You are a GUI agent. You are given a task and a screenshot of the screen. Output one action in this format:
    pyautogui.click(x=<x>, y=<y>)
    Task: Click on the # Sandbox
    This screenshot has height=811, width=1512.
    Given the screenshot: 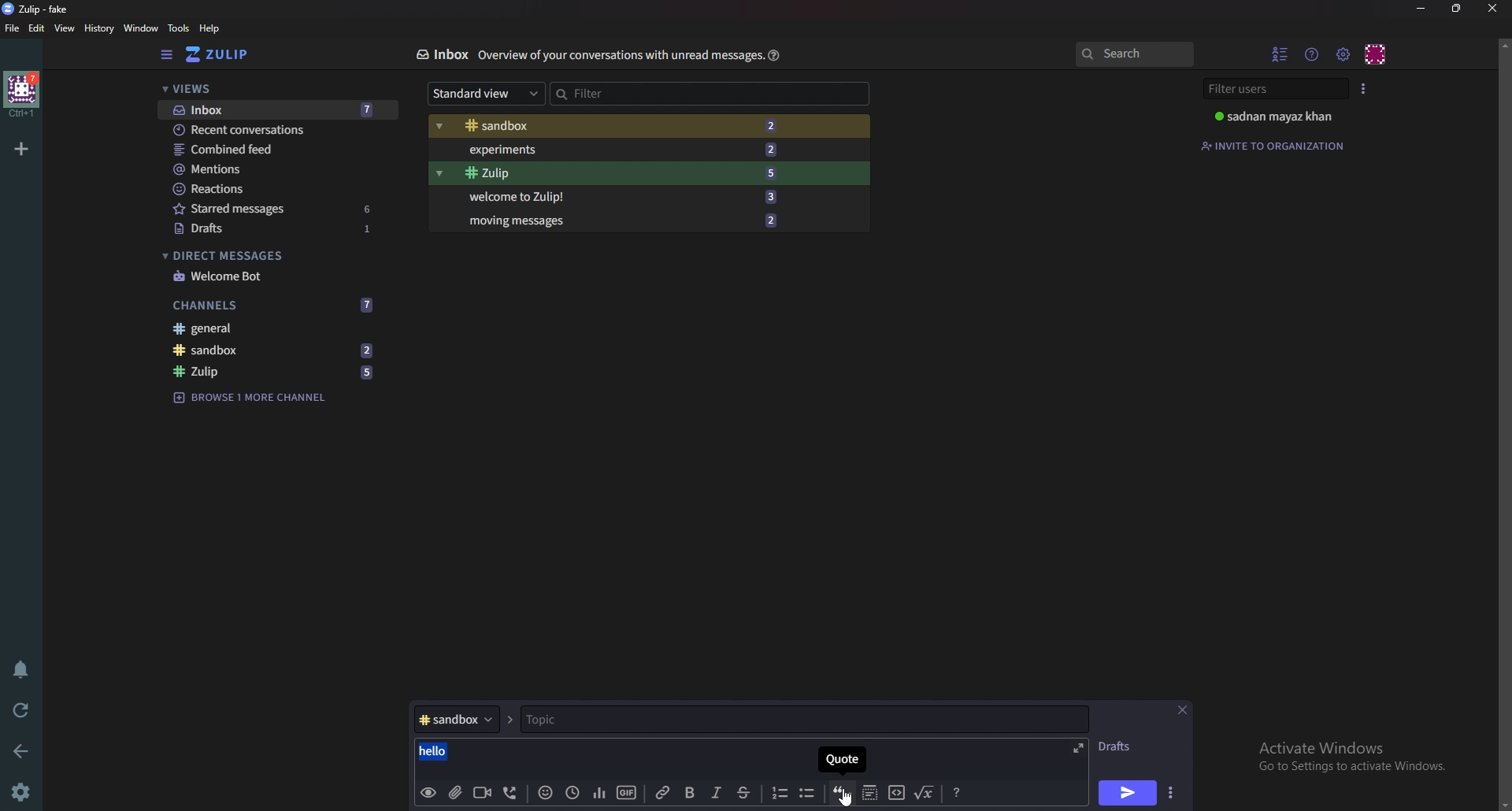 What is the action you would take?
    pyautogui.click(x=553, y=127)
    